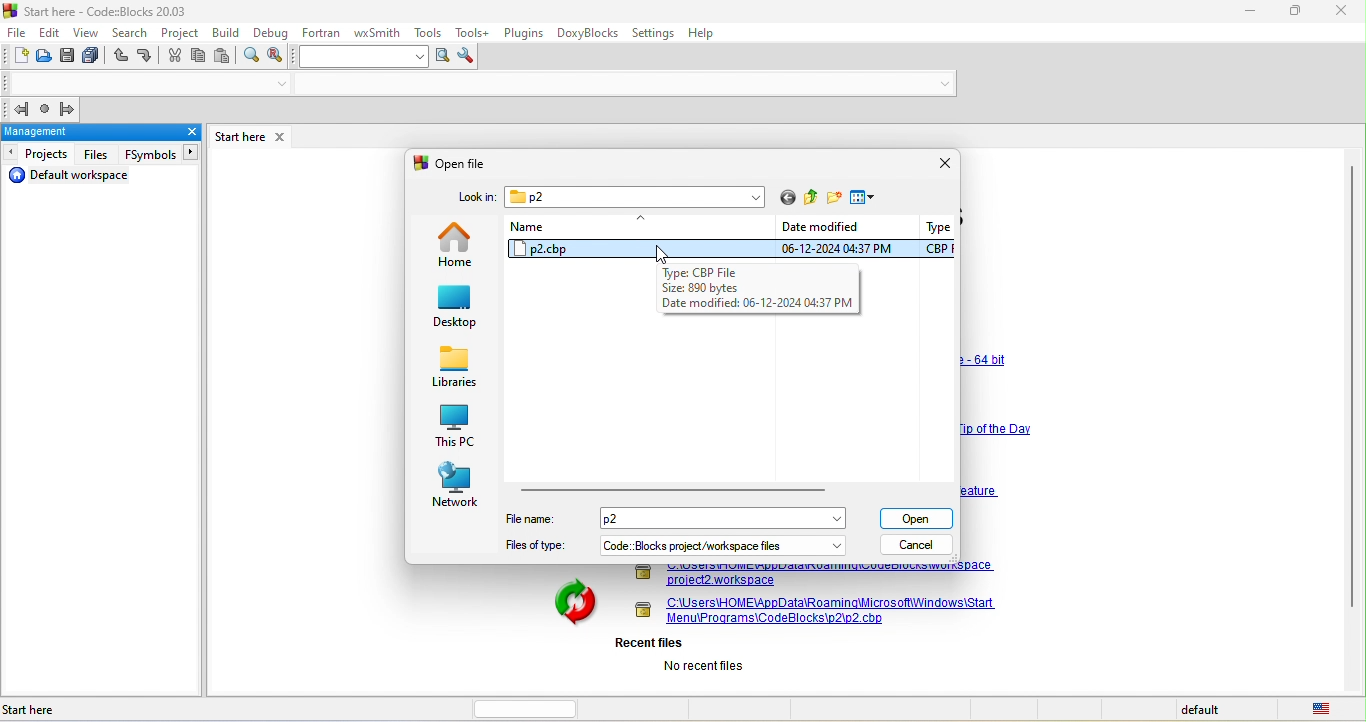  What do you see at coordinates (122, 56) in the screenshot?
I see `undo` at bounding box center [122, 56].